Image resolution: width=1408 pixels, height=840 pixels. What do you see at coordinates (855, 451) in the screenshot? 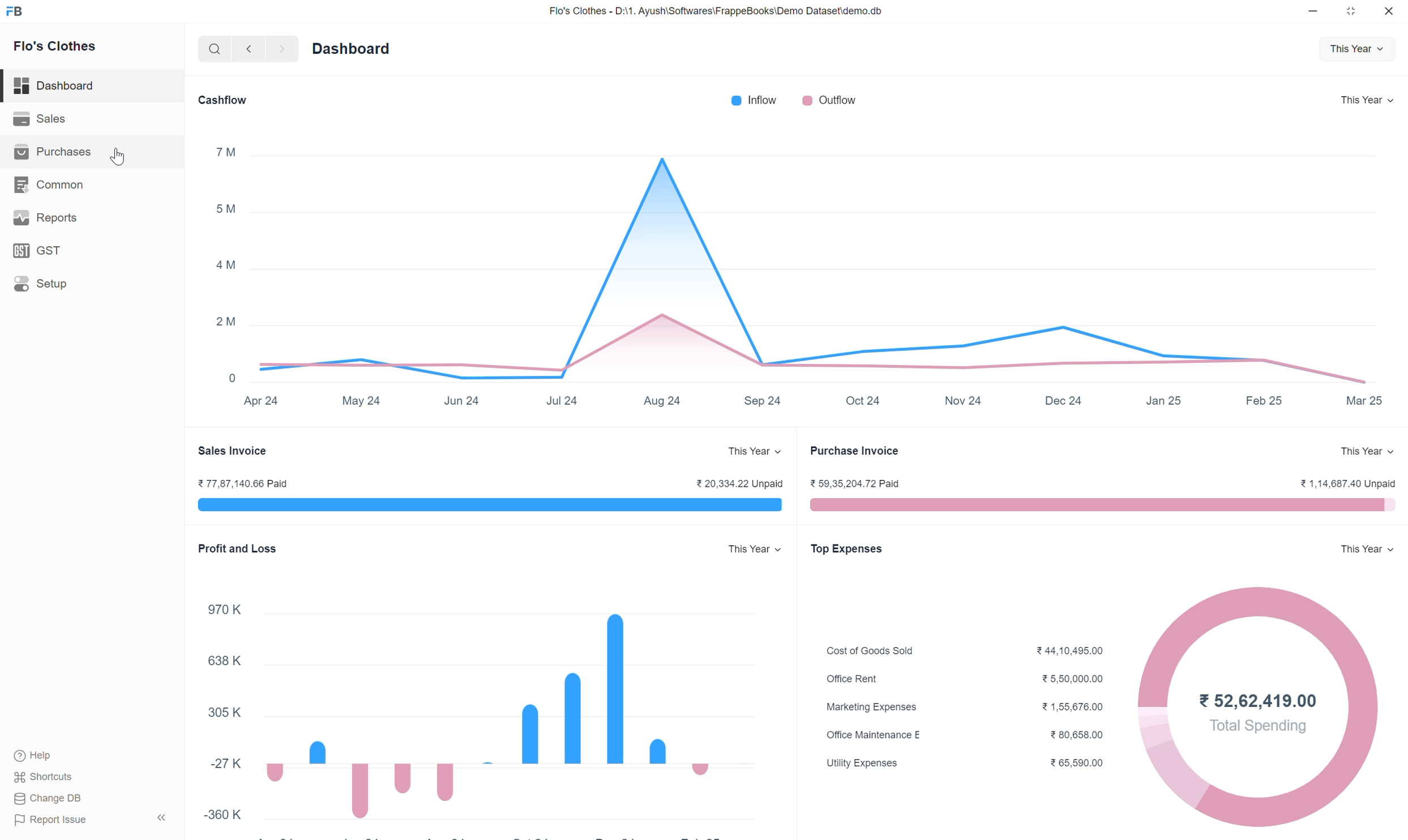
I see `Purchase Invoice` at bounding box center [855, 451].